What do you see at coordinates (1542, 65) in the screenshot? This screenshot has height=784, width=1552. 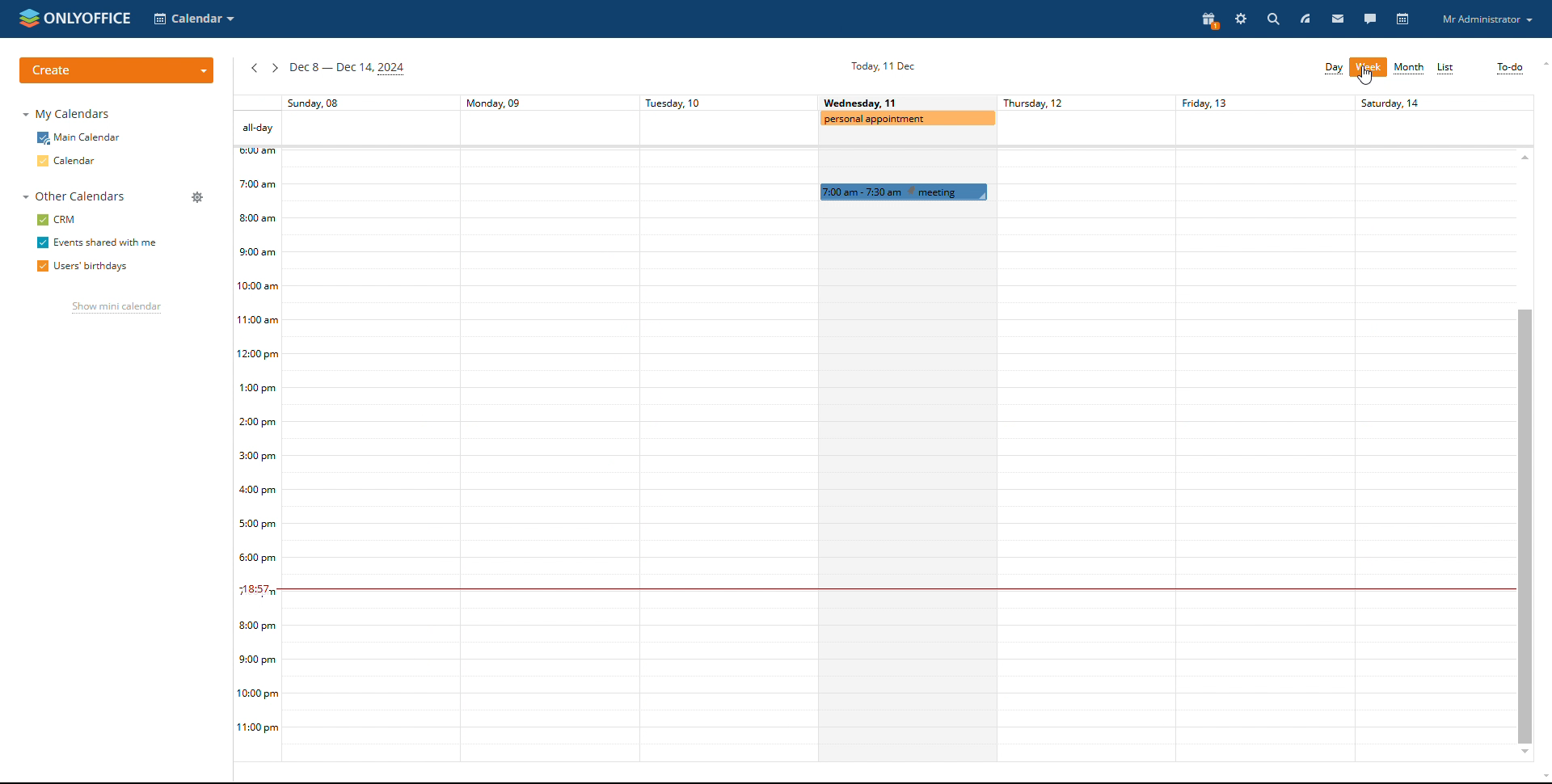 I see `scroll up` at bounding box center [1542, 65].